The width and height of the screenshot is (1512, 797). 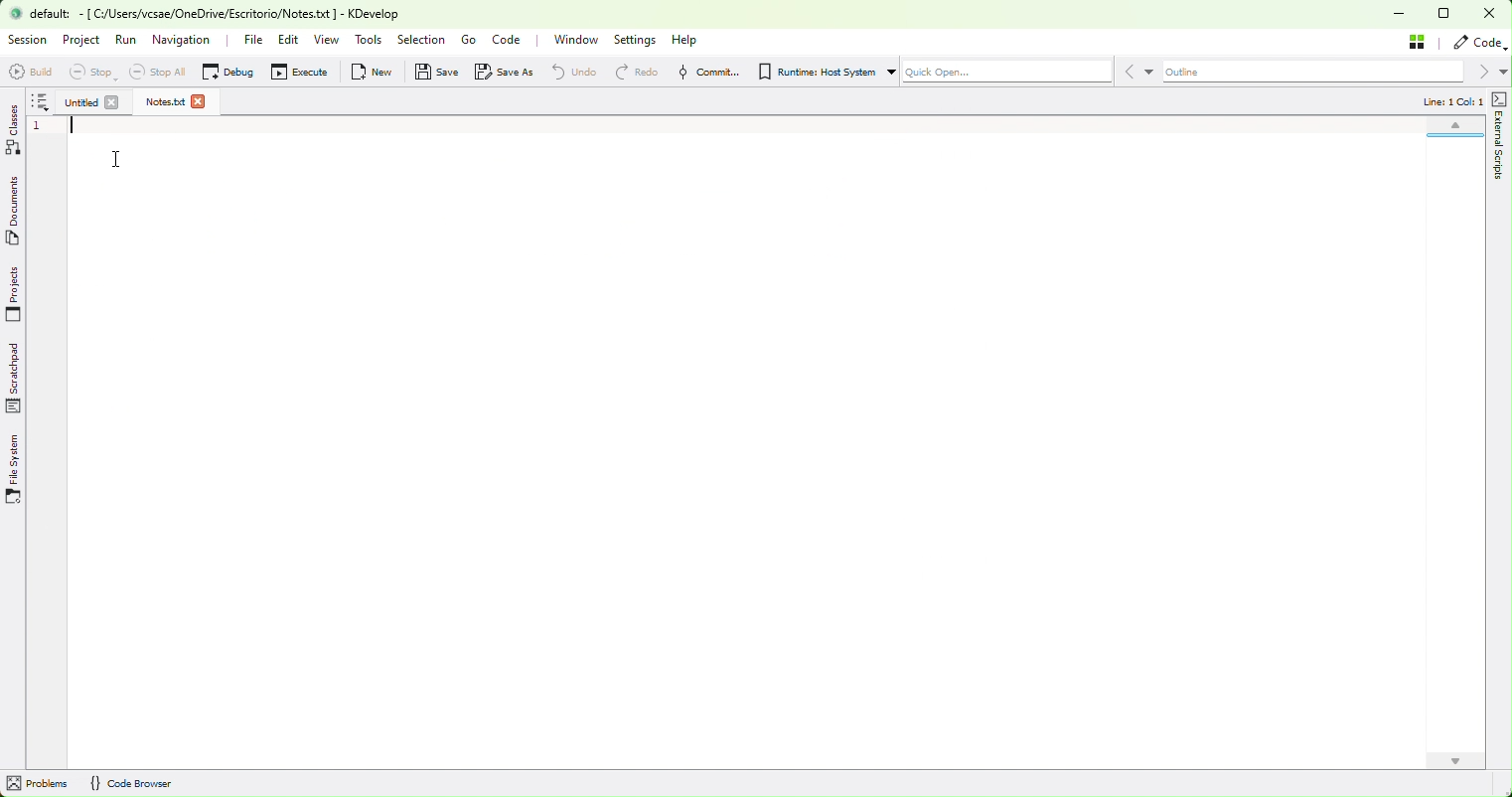 I want to click on Stash, so click(x=1419, y=41).